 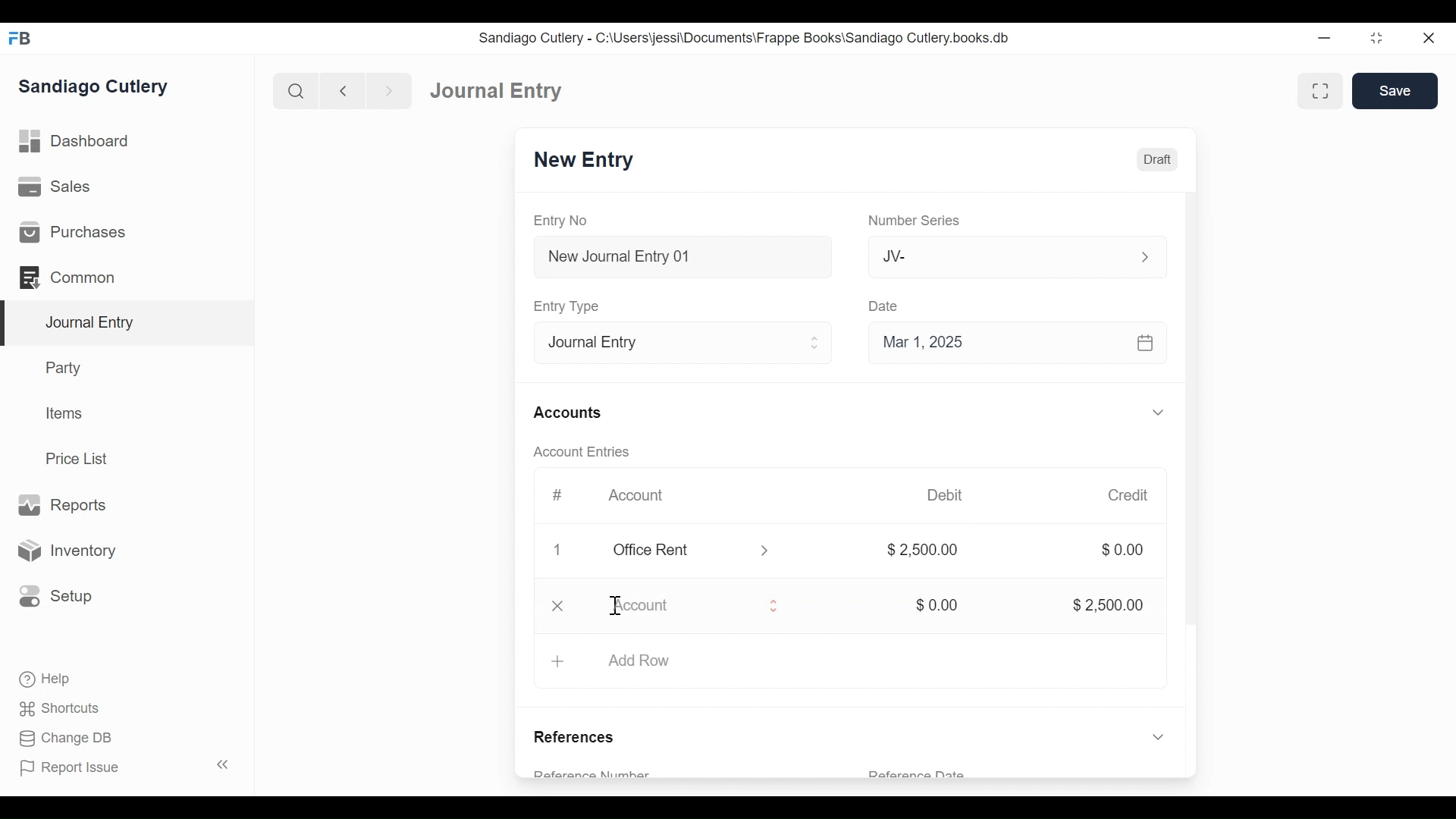 What do you see at coordinates (918, 774) in the screenshot?
I see `Reference Date` at bounding box center [918, 774].